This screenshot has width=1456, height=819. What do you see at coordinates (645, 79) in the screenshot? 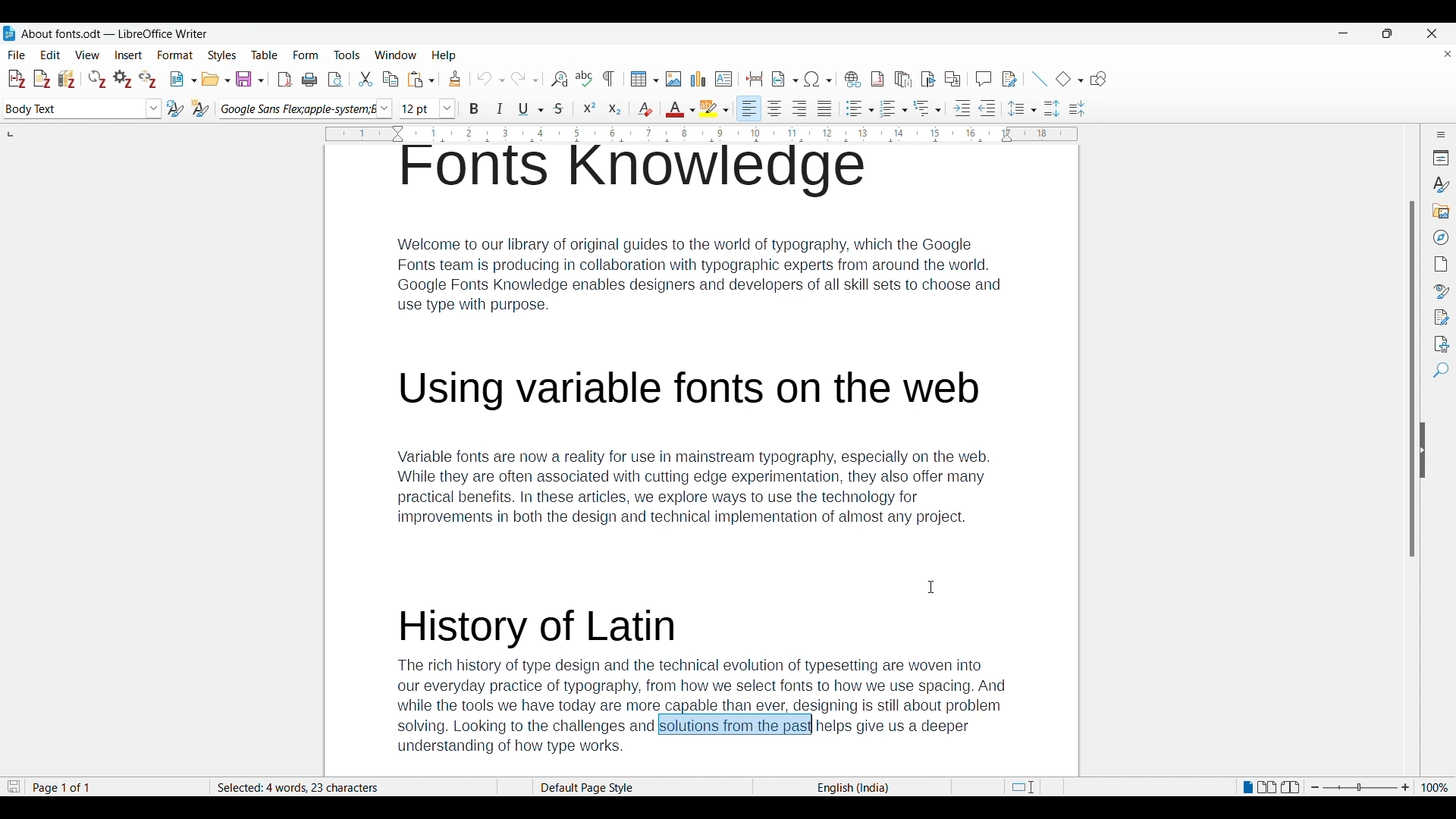
I see `Insert table` at bounding box center [645, 79].